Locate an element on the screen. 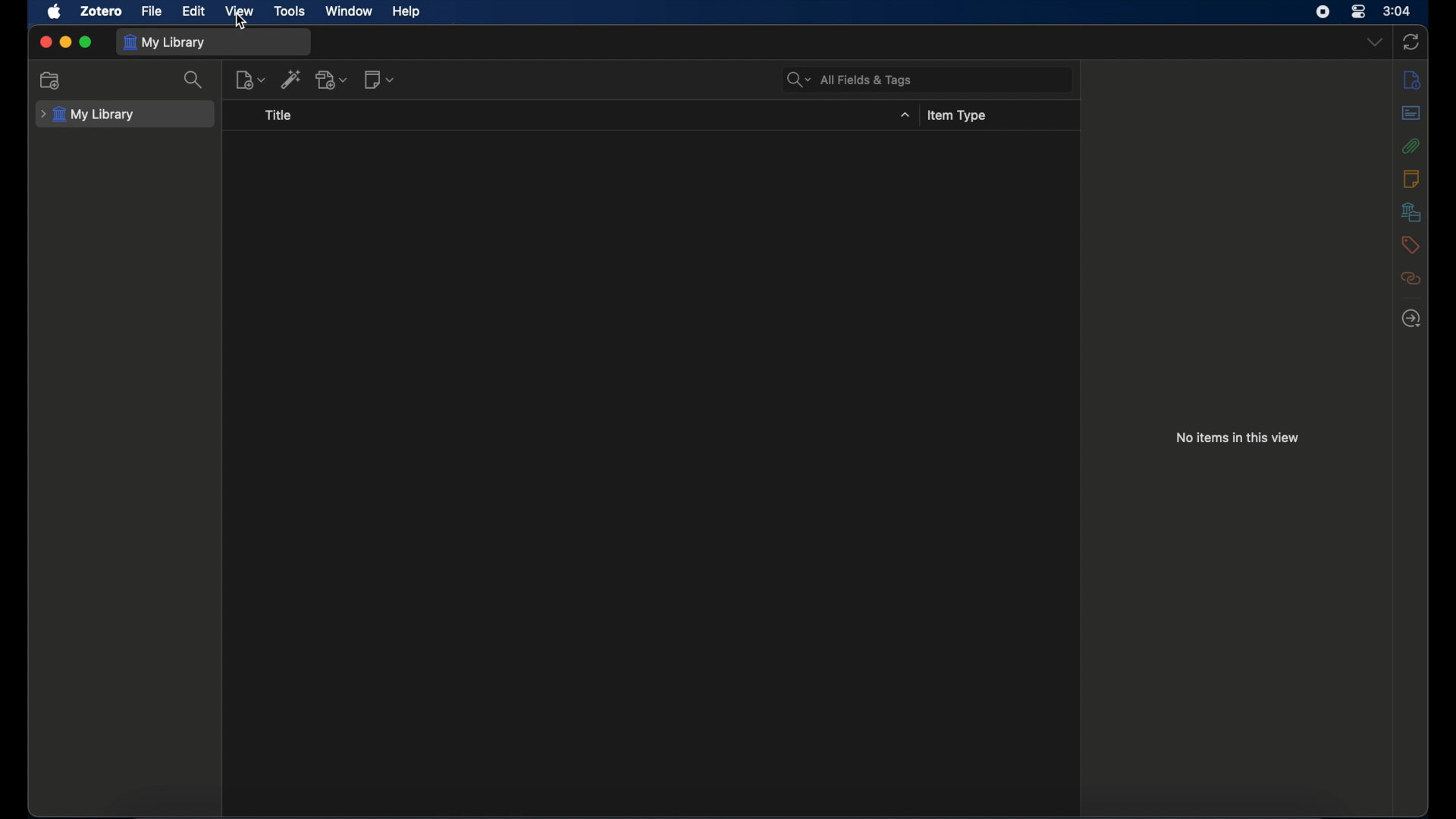 This screenshot has width=1456, height=819. dropdown is located at coordinates (906, 115).